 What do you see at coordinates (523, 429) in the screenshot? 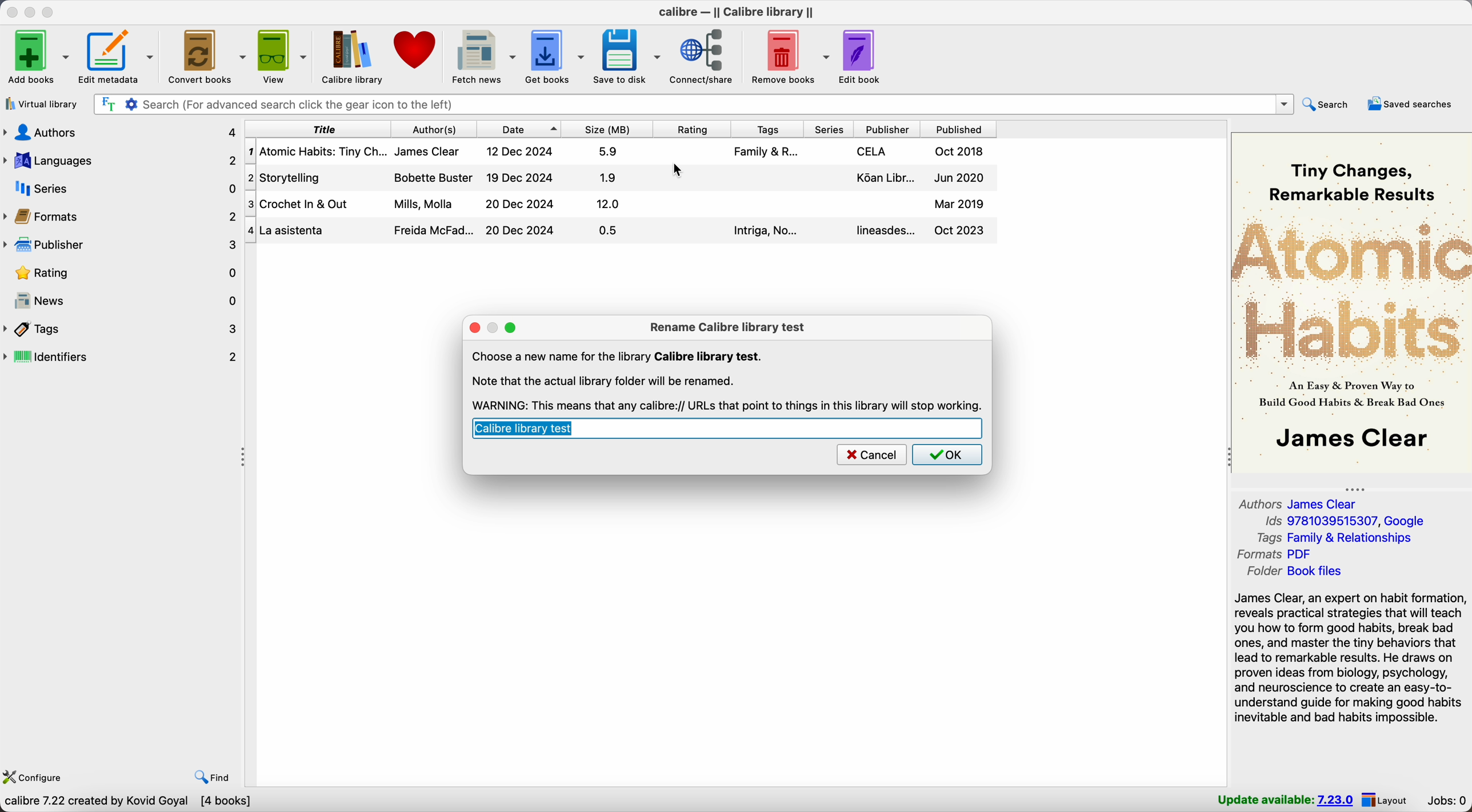
I see `calibre library test` at bounding box center [523, 429].